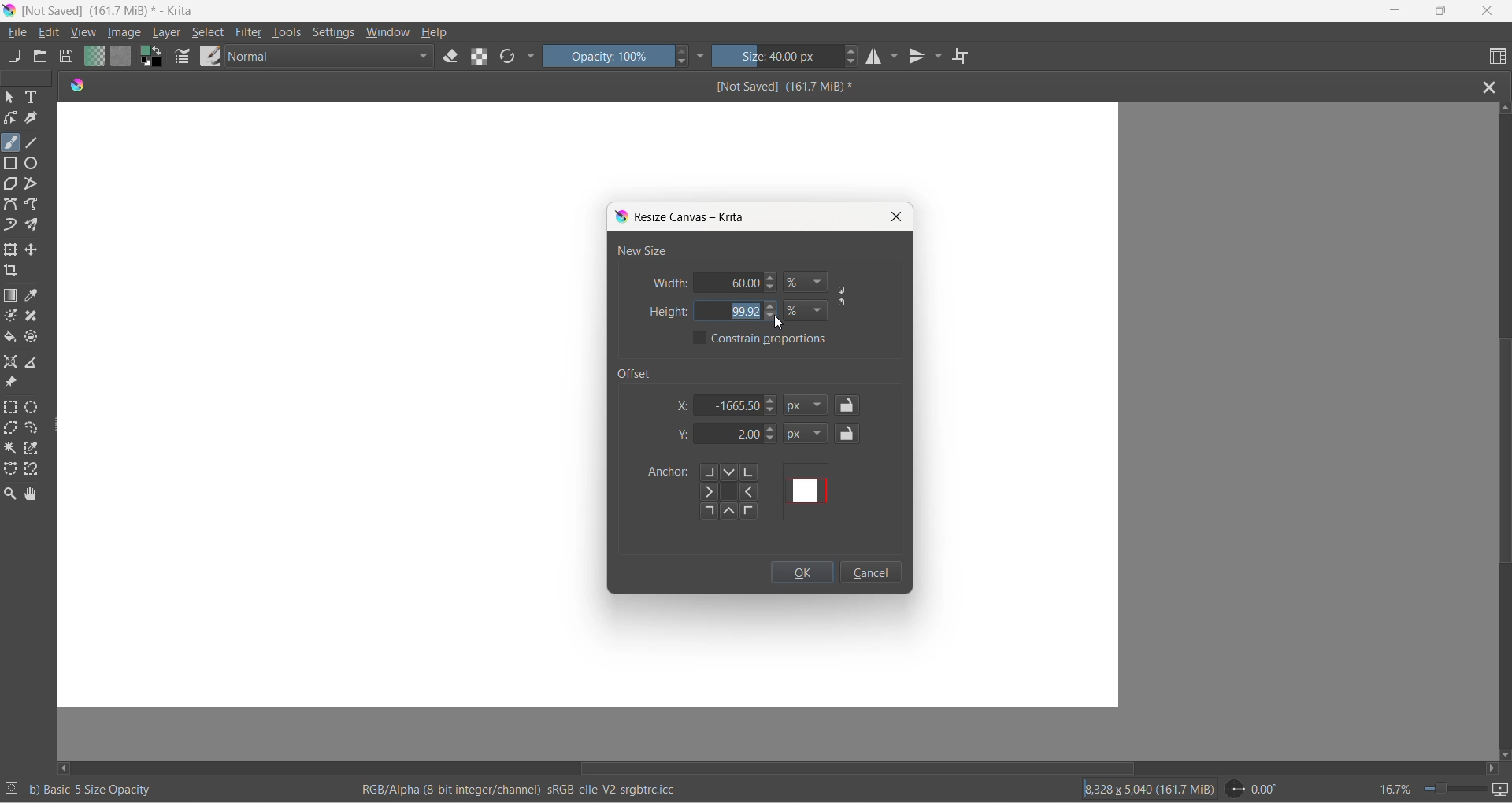 The image size is (1512, 803). What do you see at coordinates (35, 407) in the screenshot?
I see `elliptical selection tool` at bounding box center [35, 407].